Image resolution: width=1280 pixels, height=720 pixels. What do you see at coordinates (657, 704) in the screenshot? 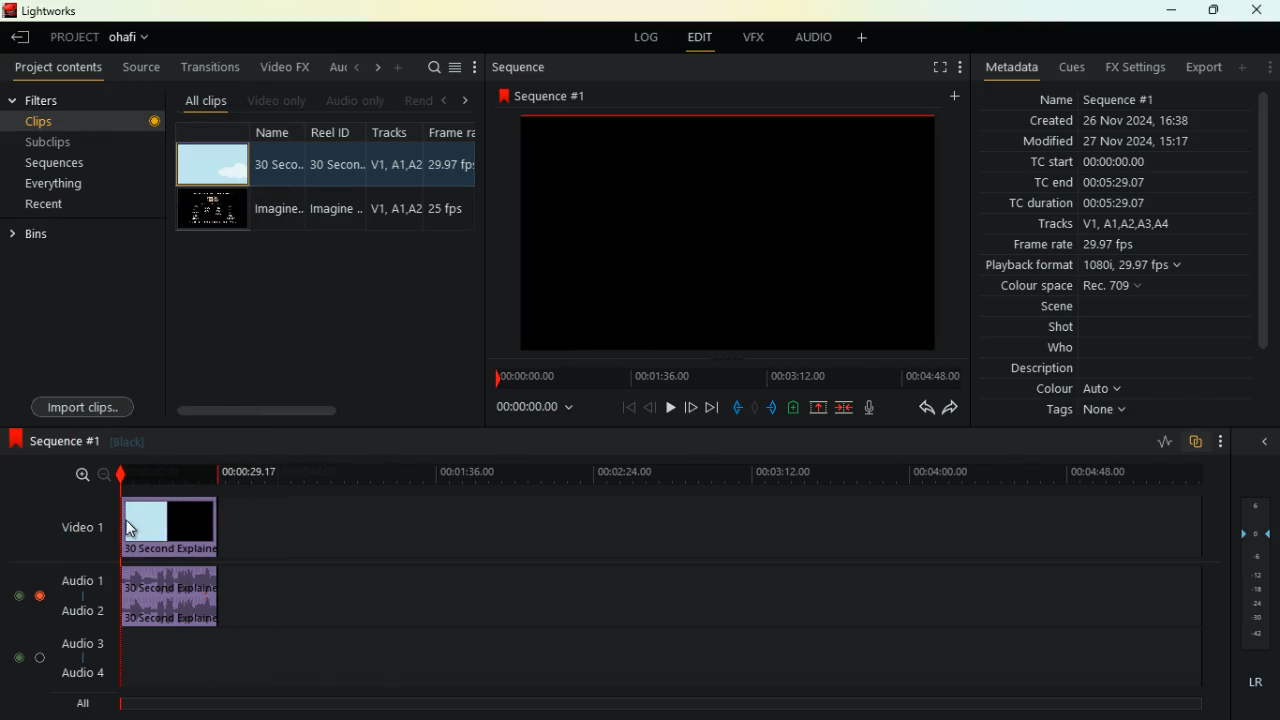
I see `timeline` at bounding box center [657, 704].